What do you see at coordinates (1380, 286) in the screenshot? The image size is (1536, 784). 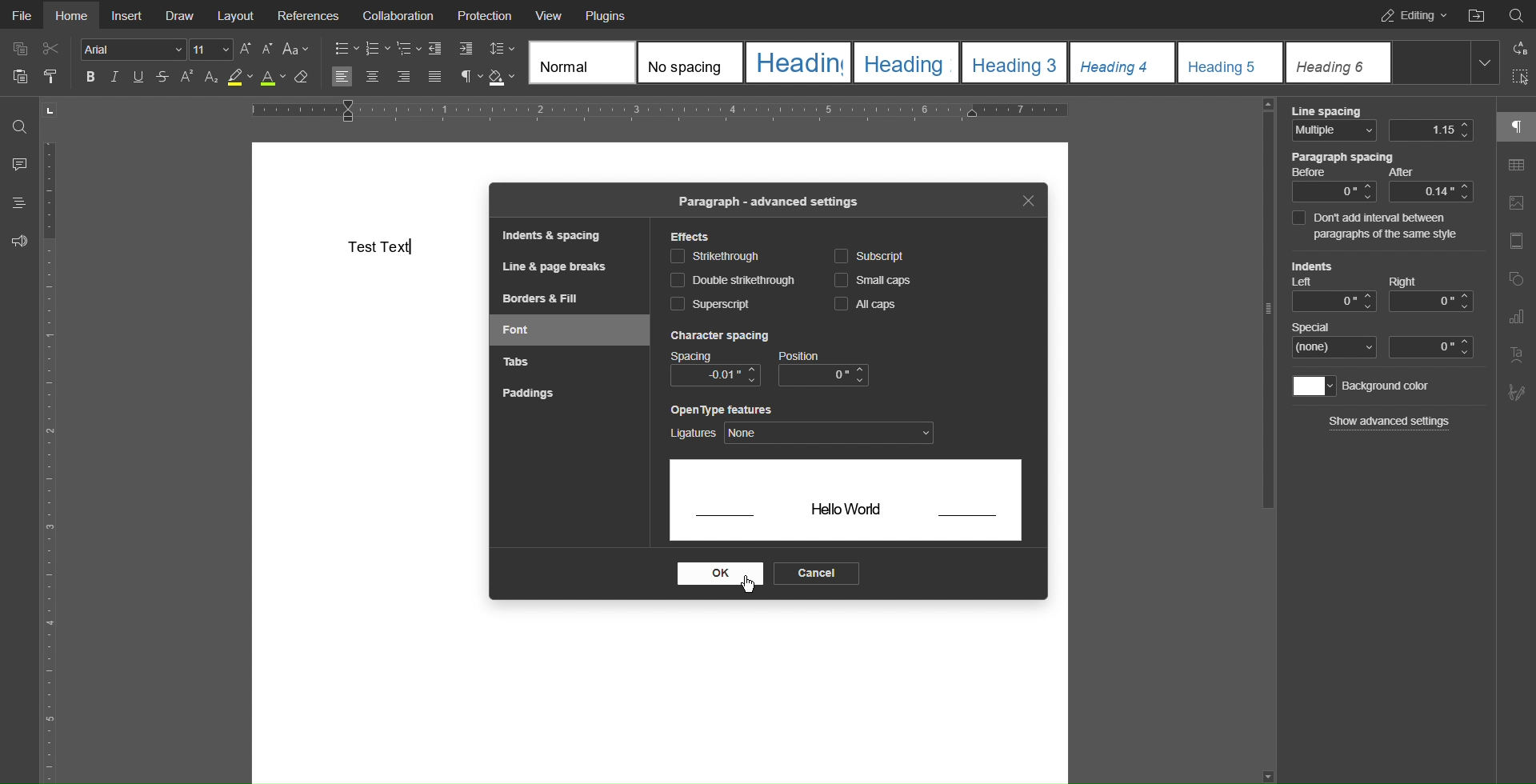 I see `Indents` at bounding box center [1380, 286].